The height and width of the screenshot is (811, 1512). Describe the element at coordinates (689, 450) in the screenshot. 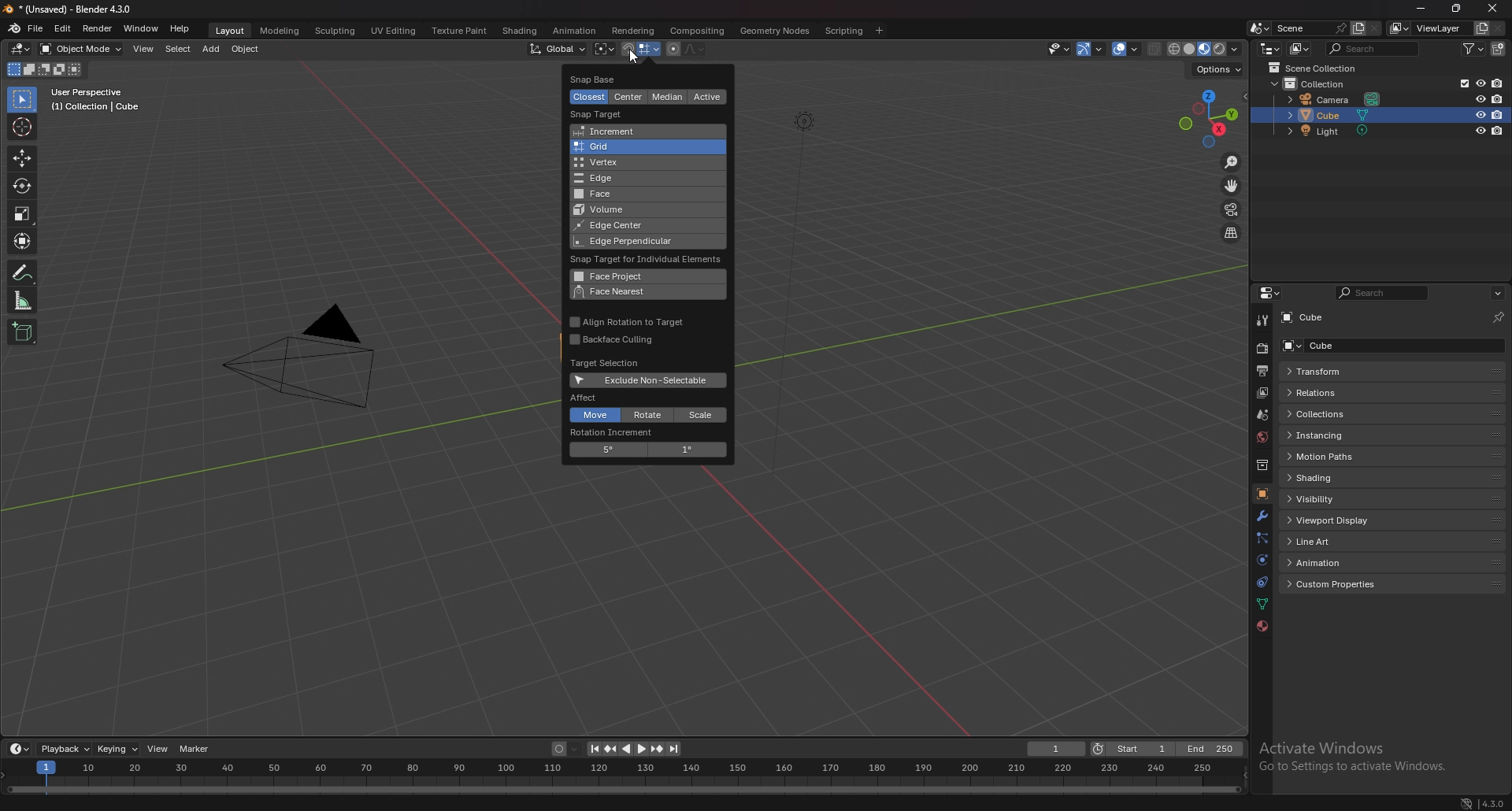

I see `1 degree` at that location.